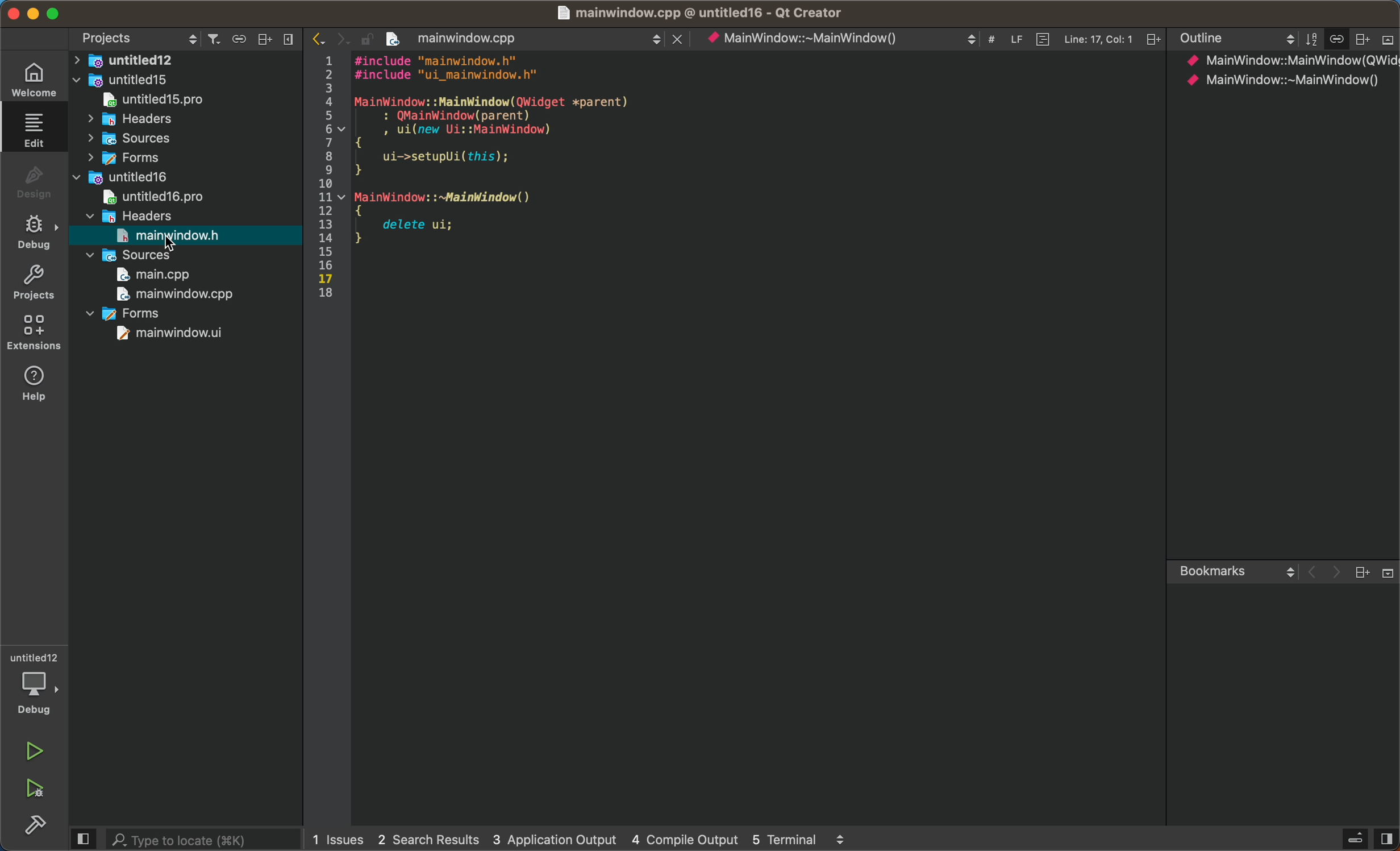  Describe the element at coordinates (34, 827) in the screenshot. I see `build` at that location.